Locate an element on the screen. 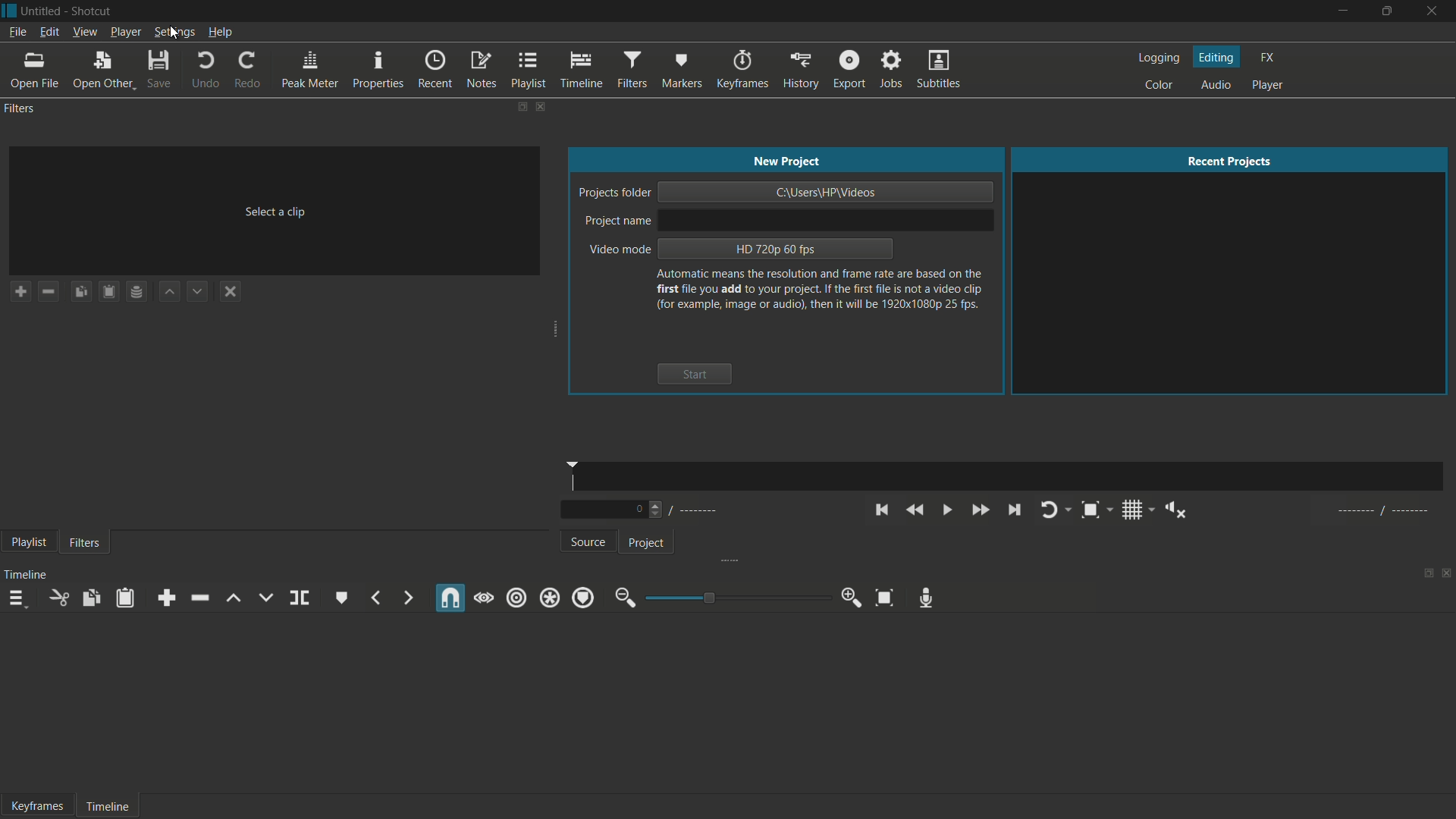  playlist is located at coordinates (529, 71).